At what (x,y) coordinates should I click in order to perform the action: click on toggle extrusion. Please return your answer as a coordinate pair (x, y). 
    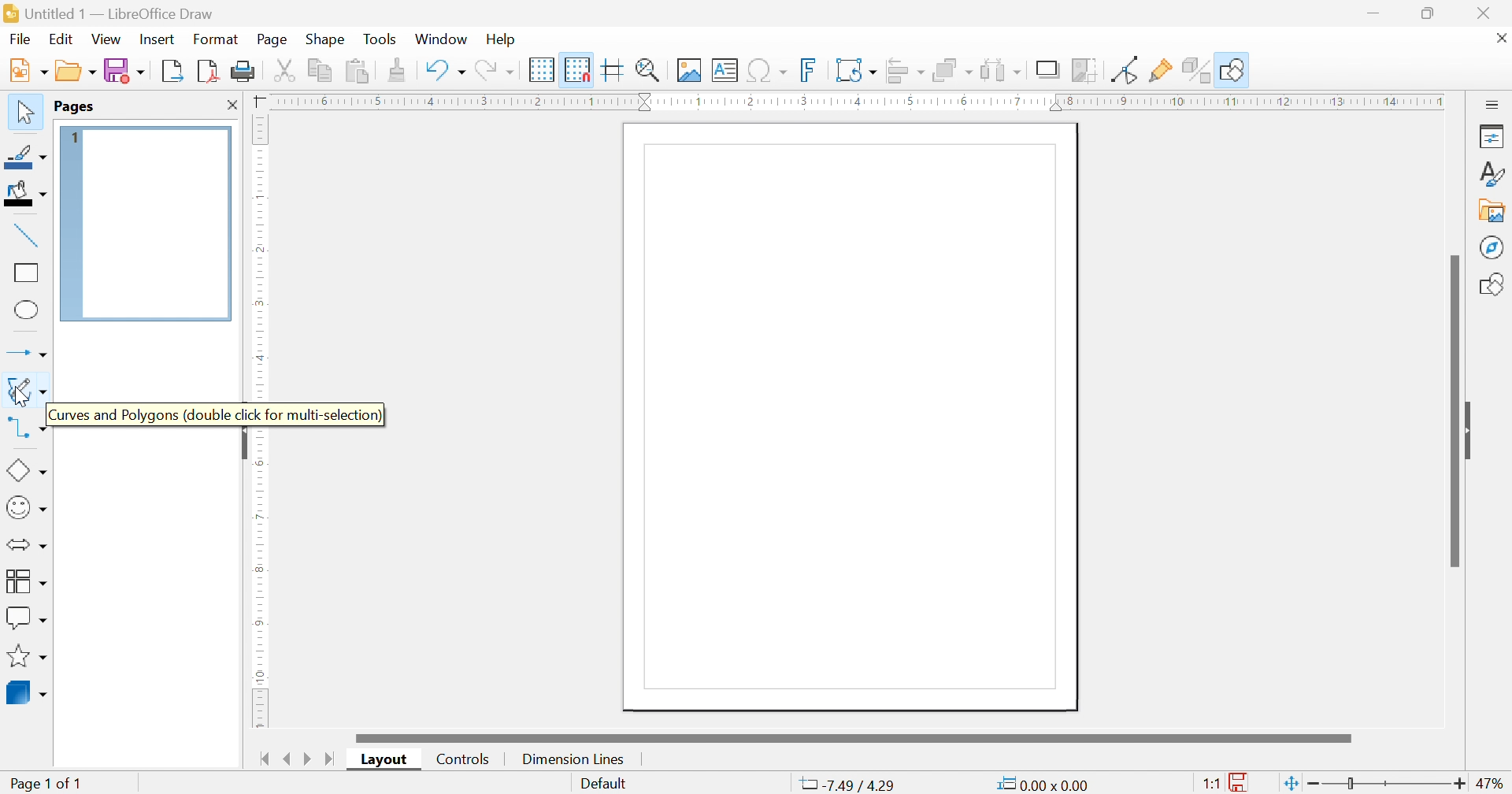
    Looking at the image, I should click on (1195, 70).